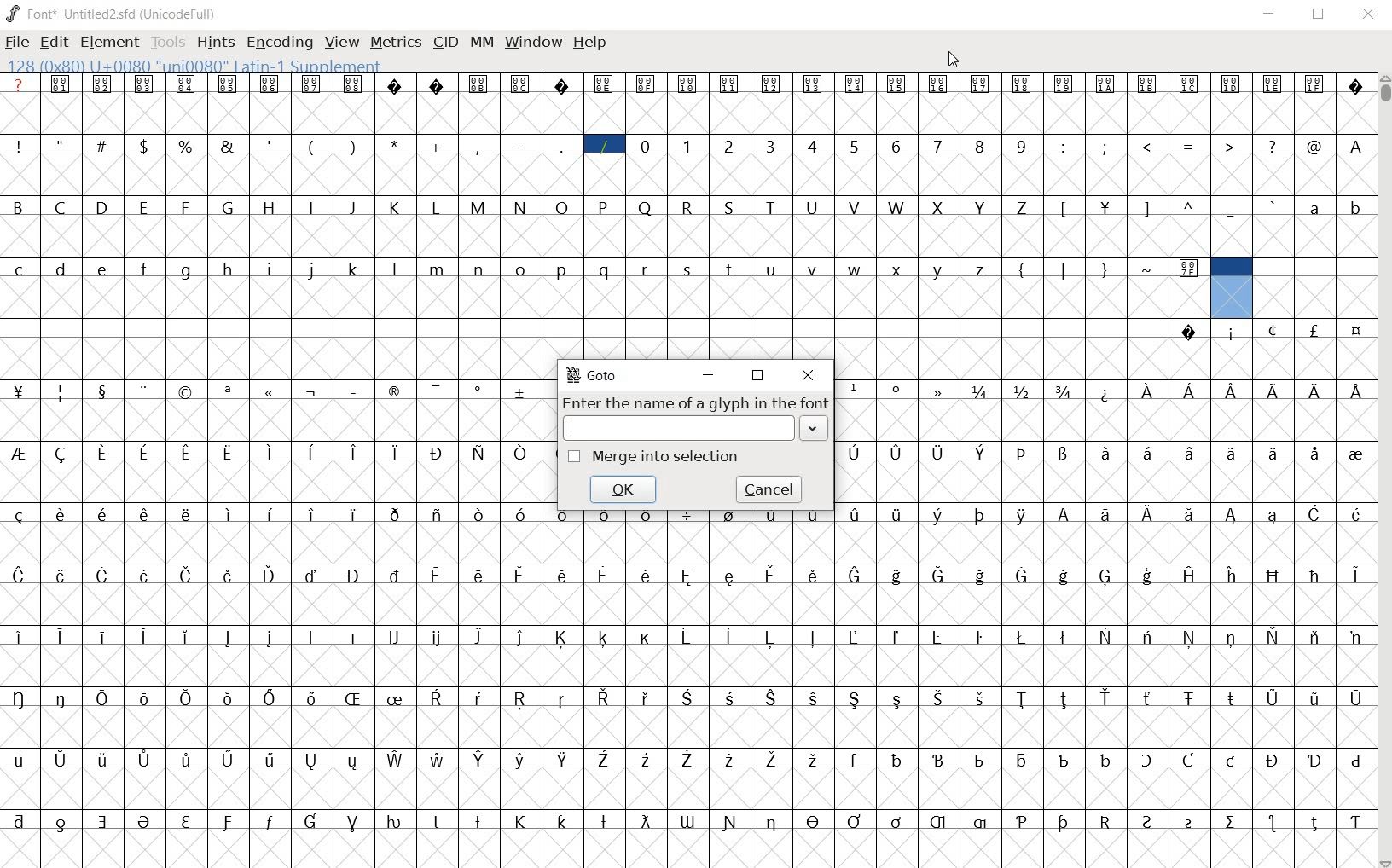 The image size is (1392, 868). I want to click on B, so click(20, 205).